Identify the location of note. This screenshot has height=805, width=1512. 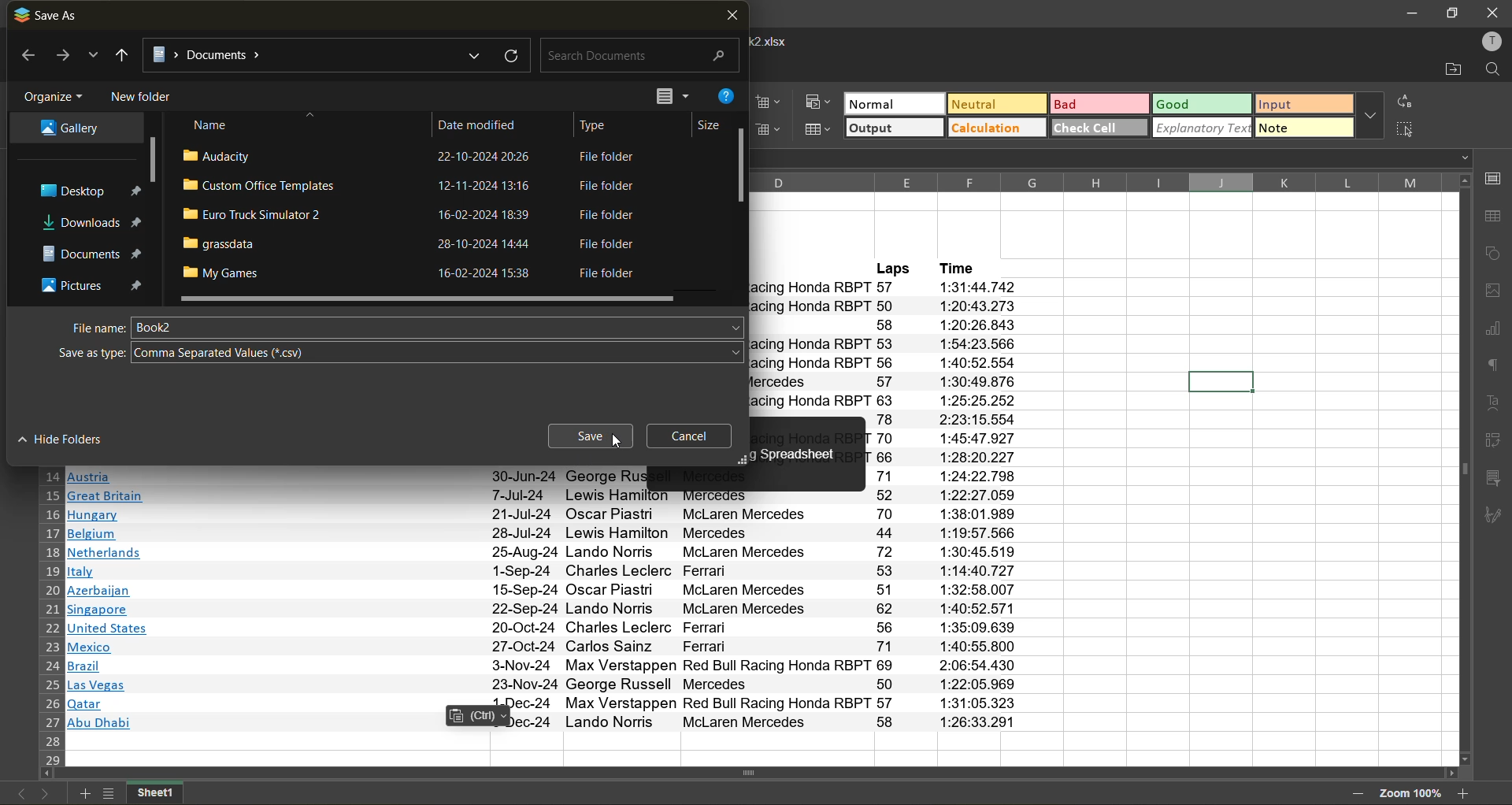
(1303, 127).